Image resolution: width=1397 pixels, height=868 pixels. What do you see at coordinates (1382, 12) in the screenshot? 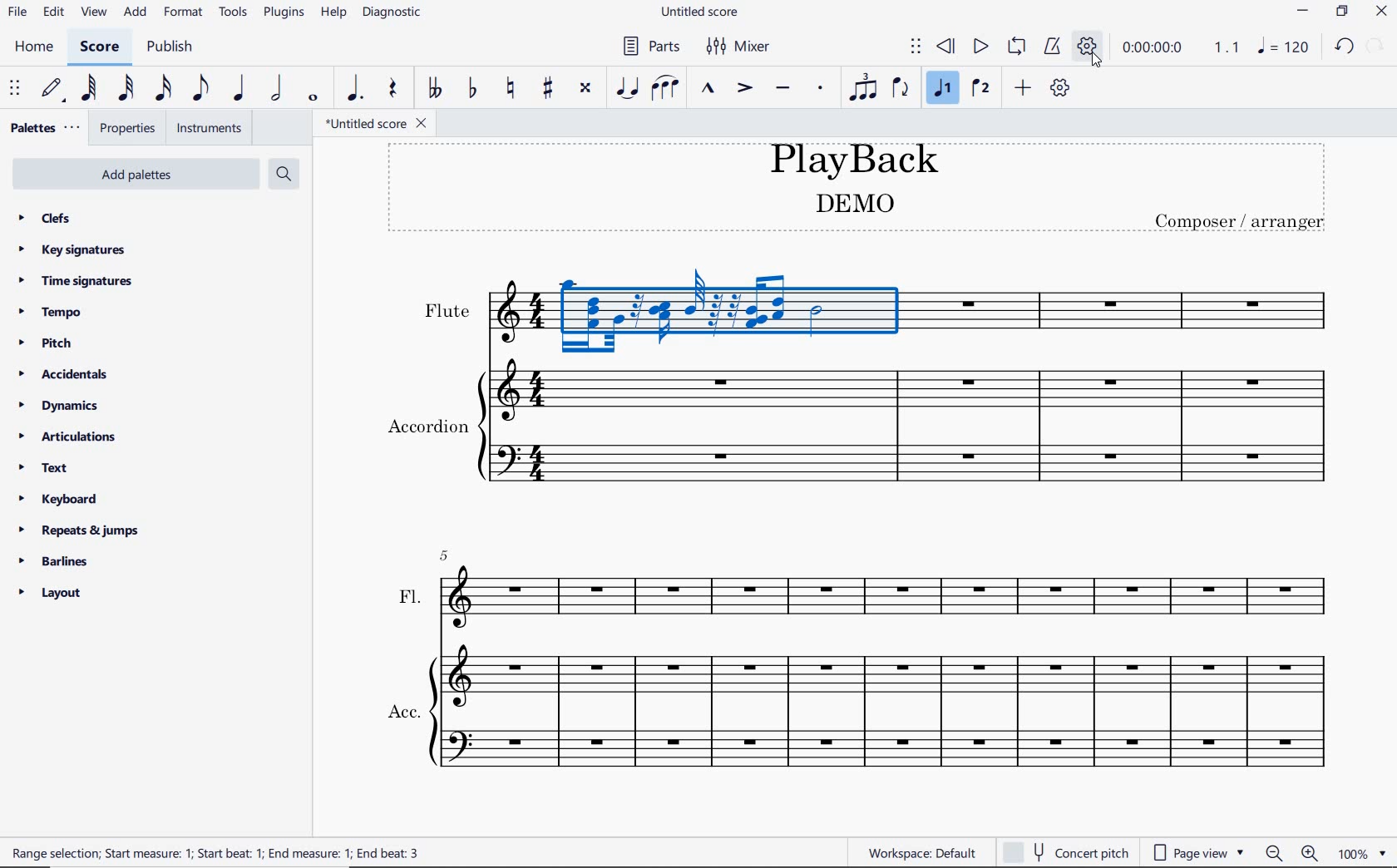
I see `close` at bounding box center [1382, 12].